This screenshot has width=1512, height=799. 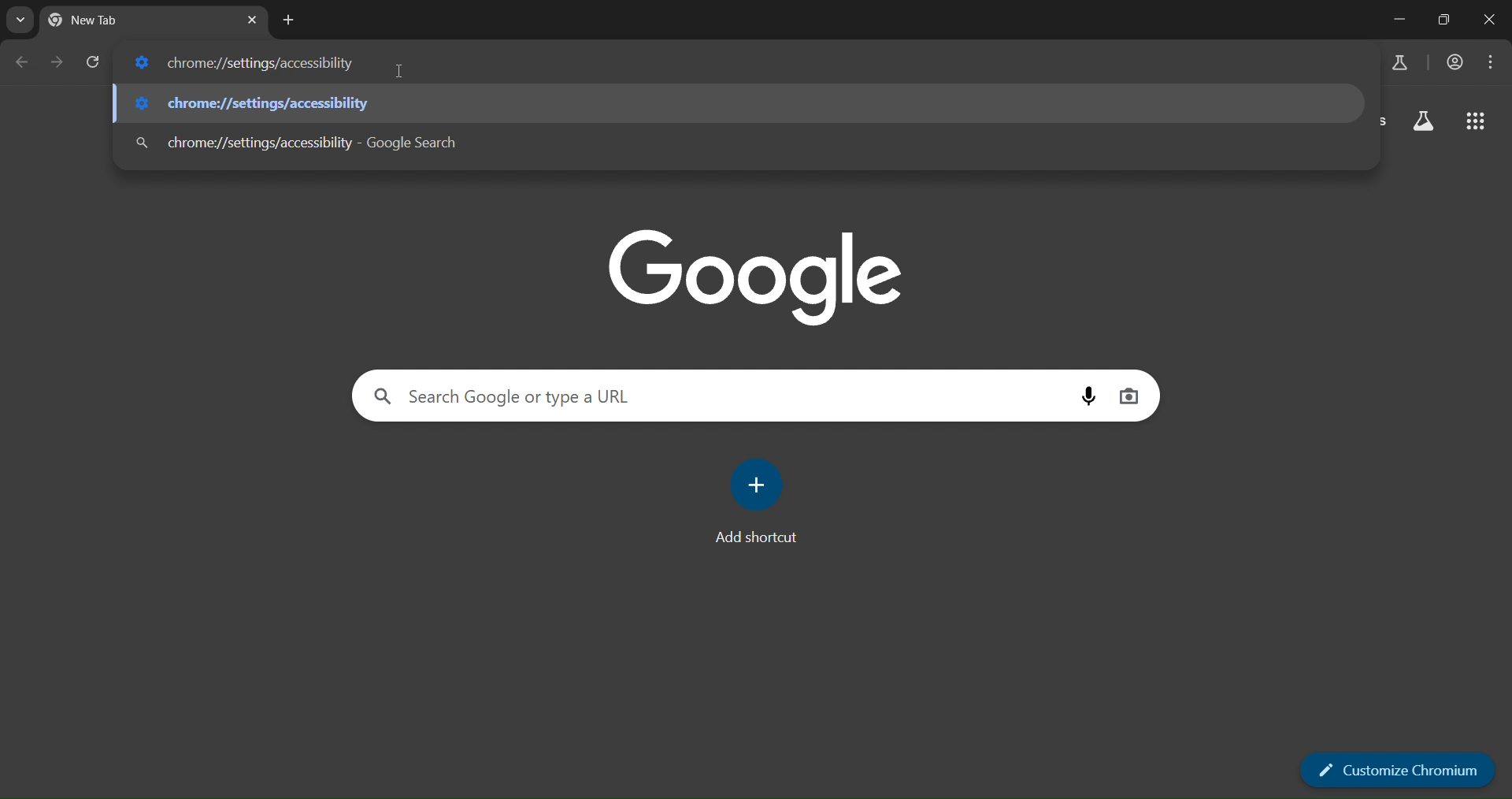 What do you see at coordinates (254, 23) in the screenshot?
I see `close tab` at bounding box center [254, 23].